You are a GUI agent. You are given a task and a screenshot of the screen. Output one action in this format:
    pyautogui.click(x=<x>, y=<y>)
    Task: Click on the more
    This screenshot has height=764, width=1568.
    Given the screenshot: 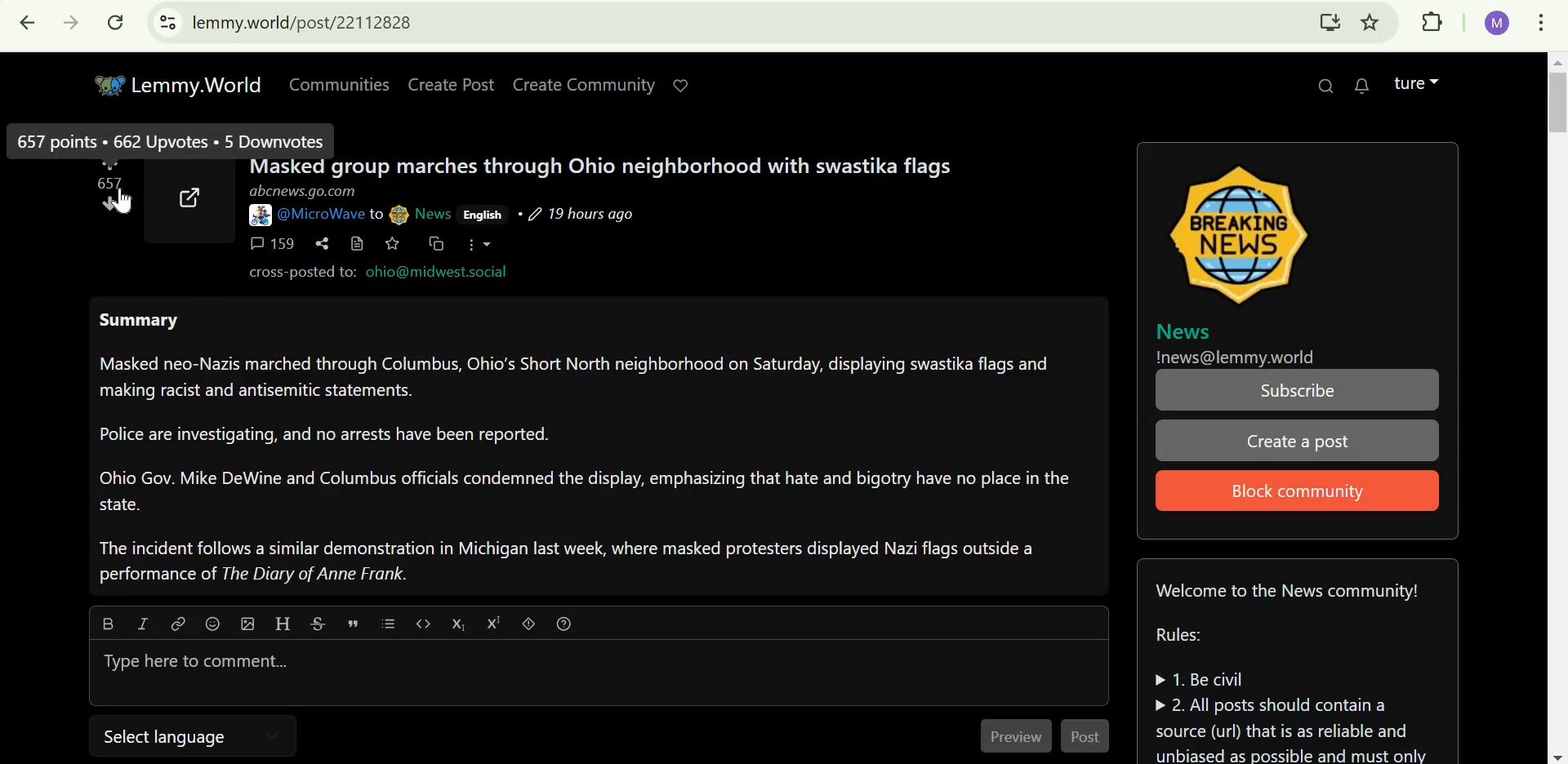 What is the action you would take?
    pyautogui.click(x=479, y=244)
    